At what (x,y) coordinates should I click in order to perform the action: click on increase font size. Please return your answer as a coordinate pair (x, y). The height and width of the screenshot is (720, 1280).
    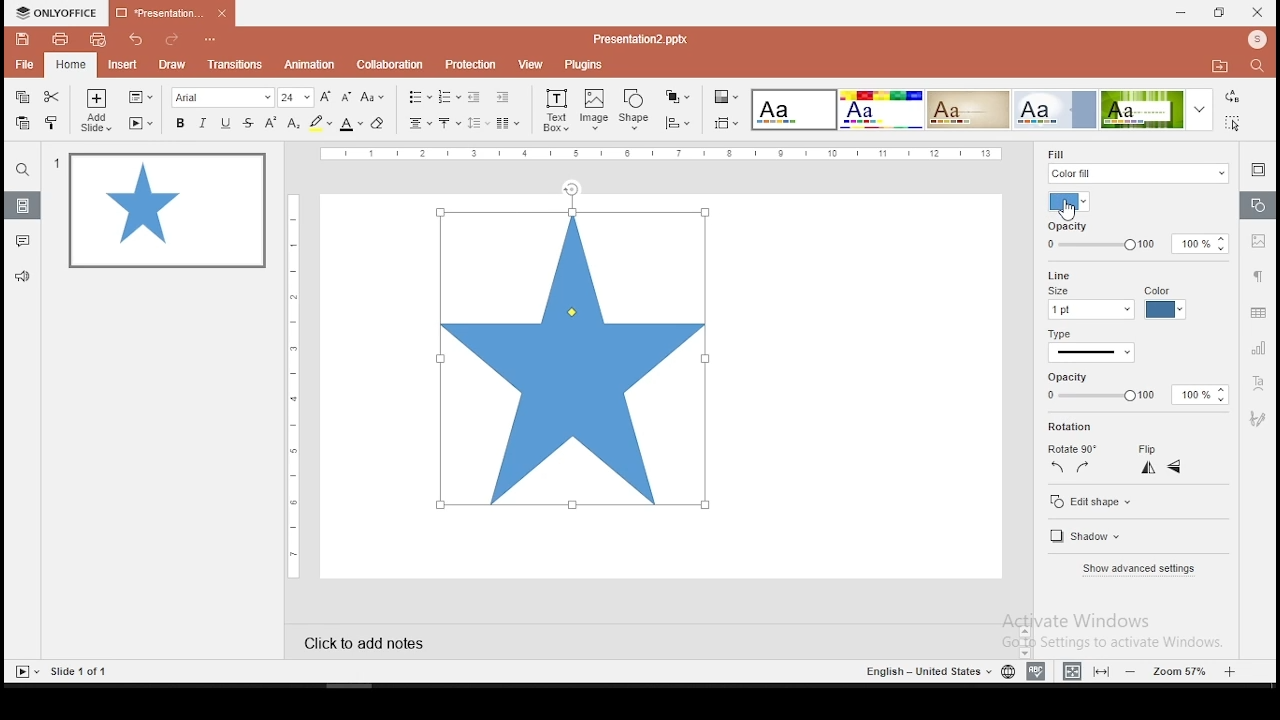
    Looking at the image, I should click on (328, 98).